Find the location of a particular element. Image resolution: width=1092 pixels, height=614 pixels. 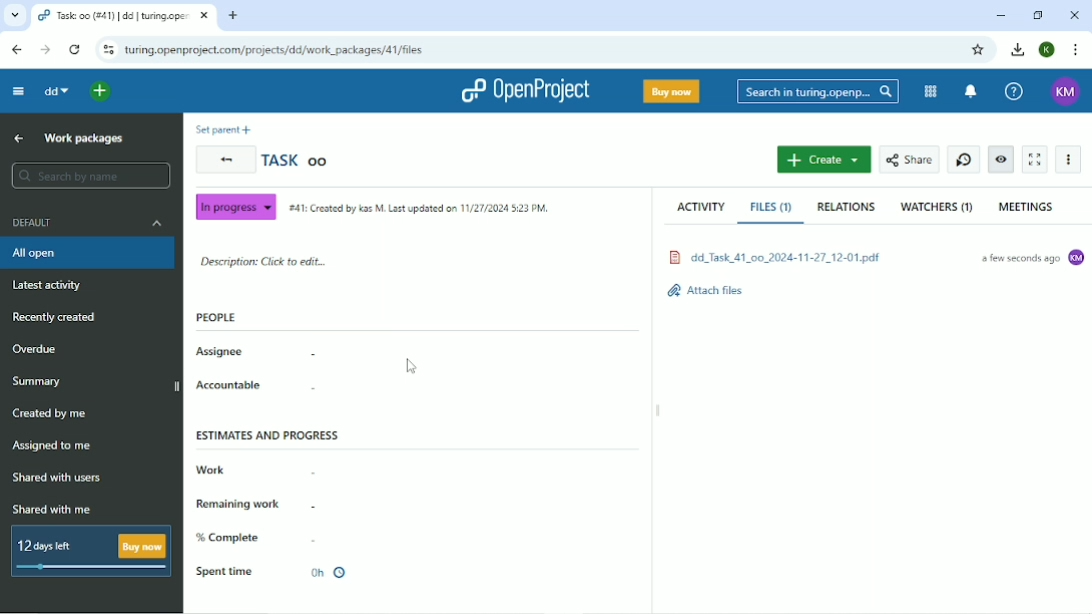

Back is located at coordinates (17, 50).